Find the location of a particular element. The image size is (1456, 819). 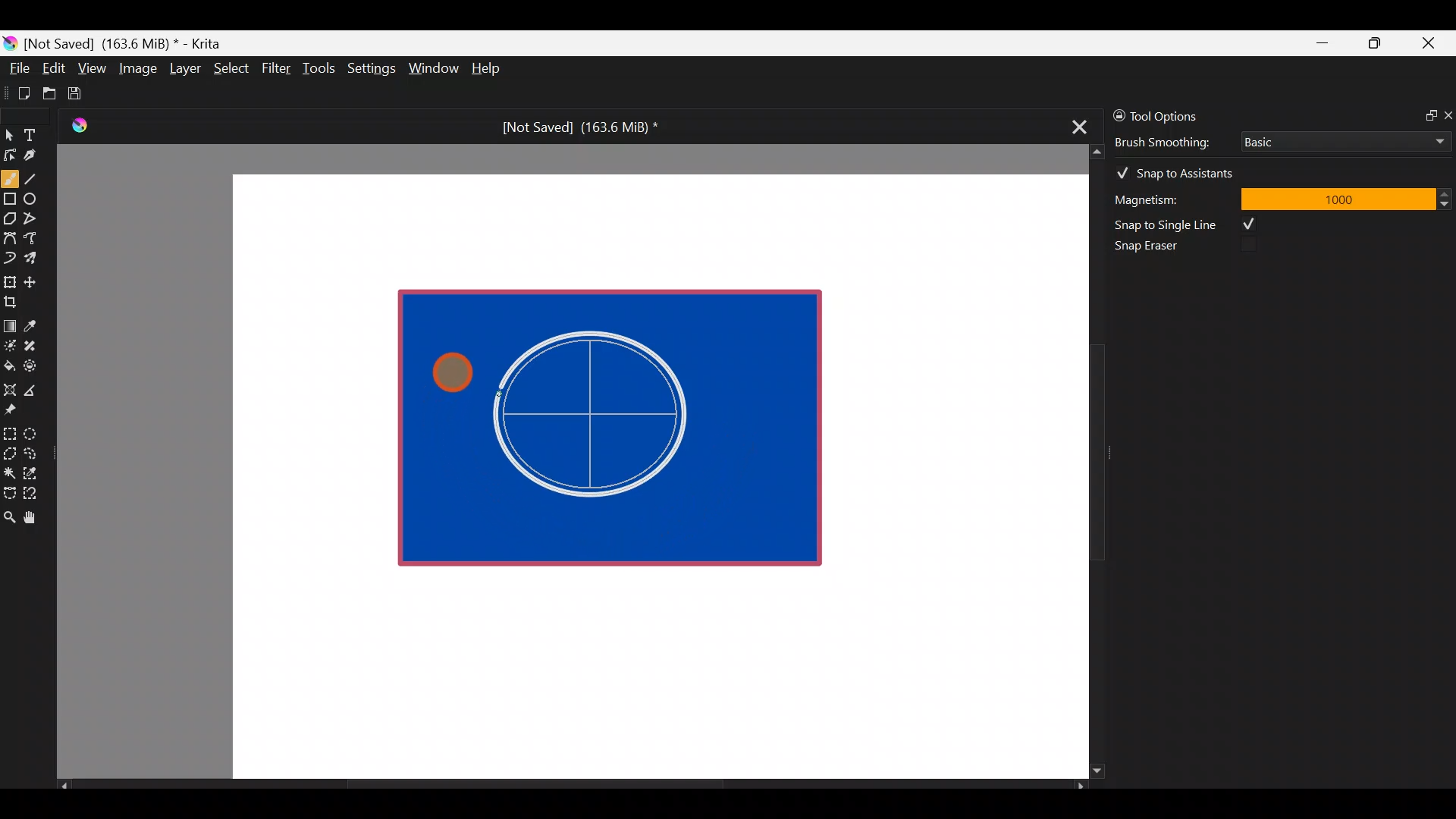

Brush smoothing is located at coordinates (1172, 141).